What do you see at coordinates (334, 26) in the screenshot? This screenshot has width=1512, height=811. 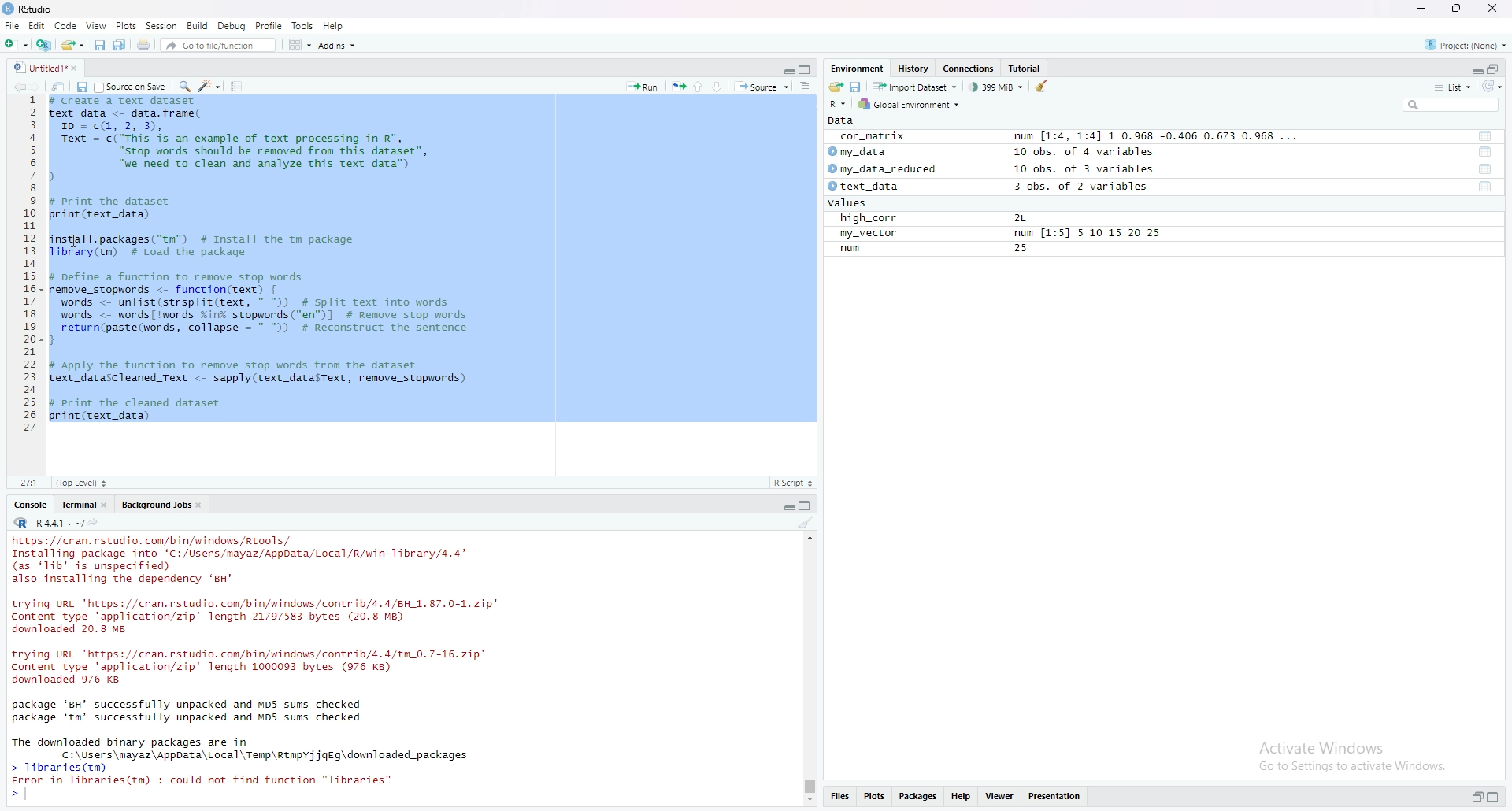 I see `help` at bounding box center [334, 26].